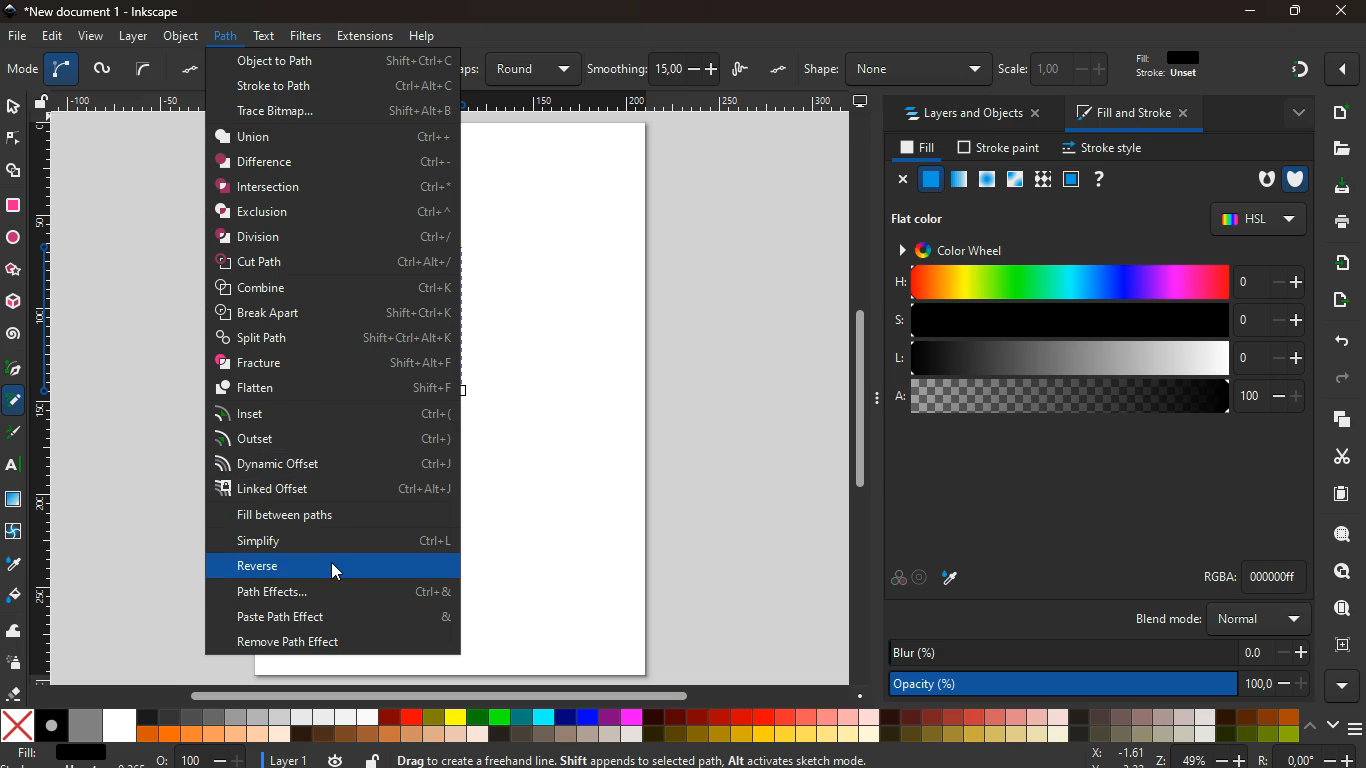 This screenshot has width=1366, height=768. Describe the element at coordinates (335, 236) in the screenshot. I see `division` at that location.